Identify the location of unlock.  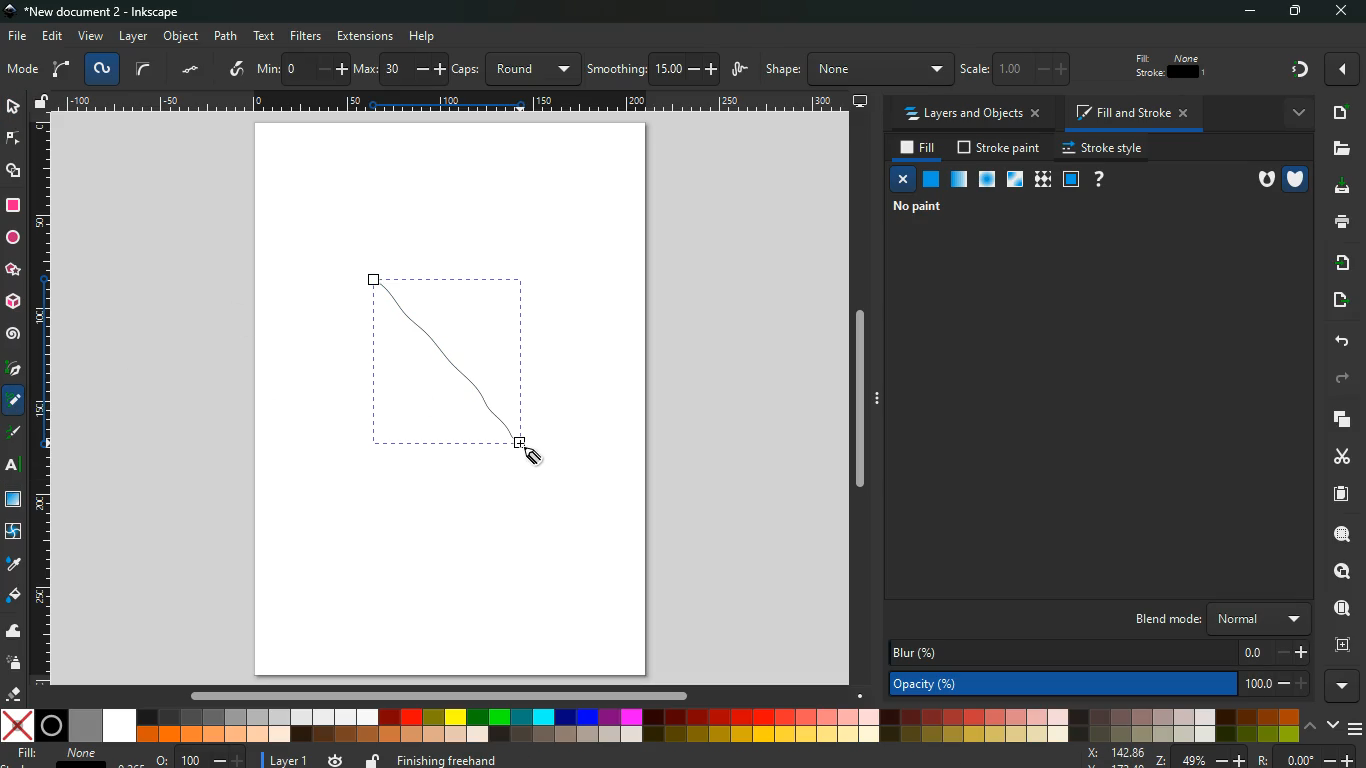
(43, 102).